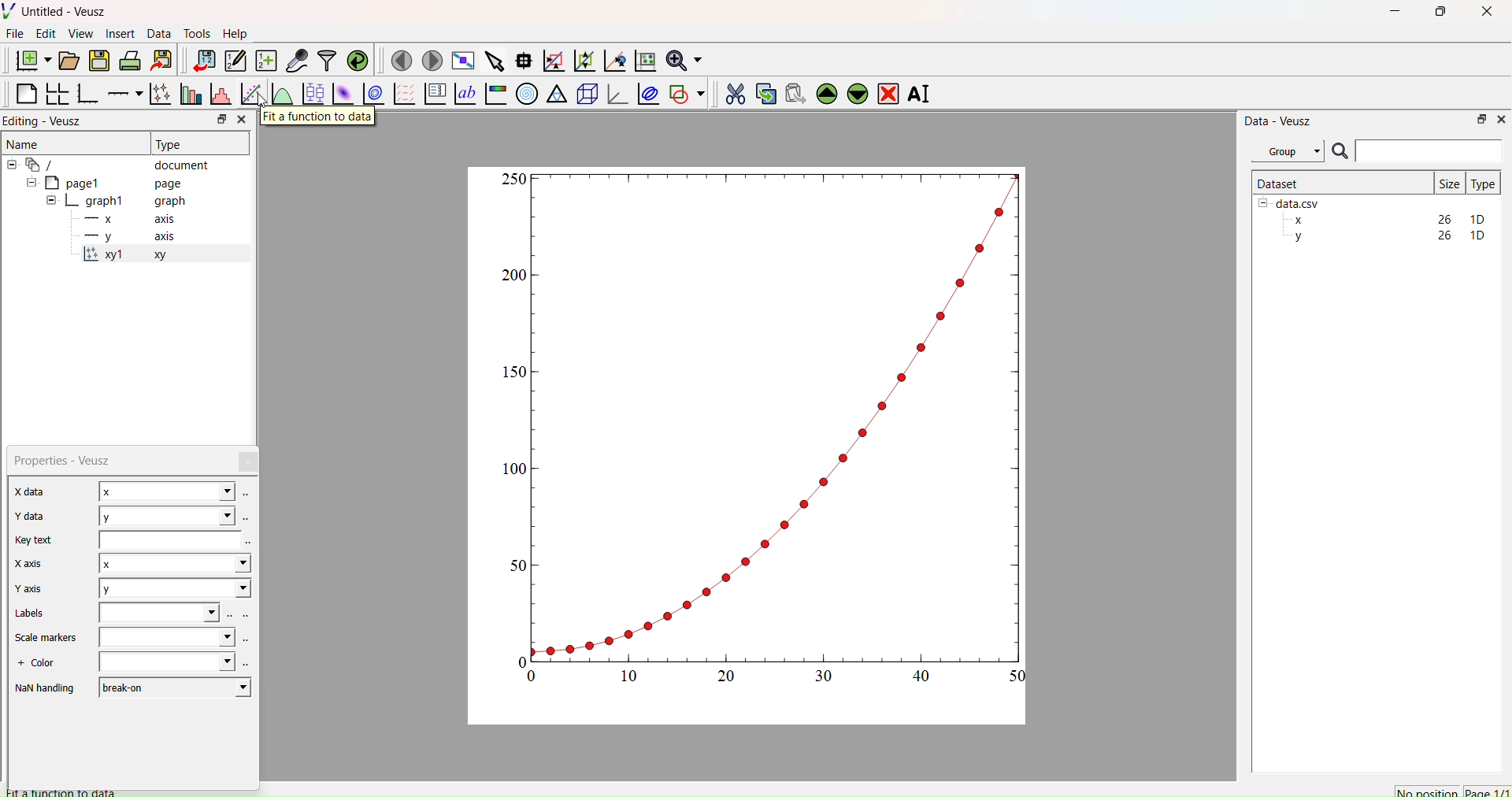 Image resolution: width=1512 pixels, height=797 pixels. Describe the element at coordinates (175, 563) in the screenshot. I see `x ` at that location.